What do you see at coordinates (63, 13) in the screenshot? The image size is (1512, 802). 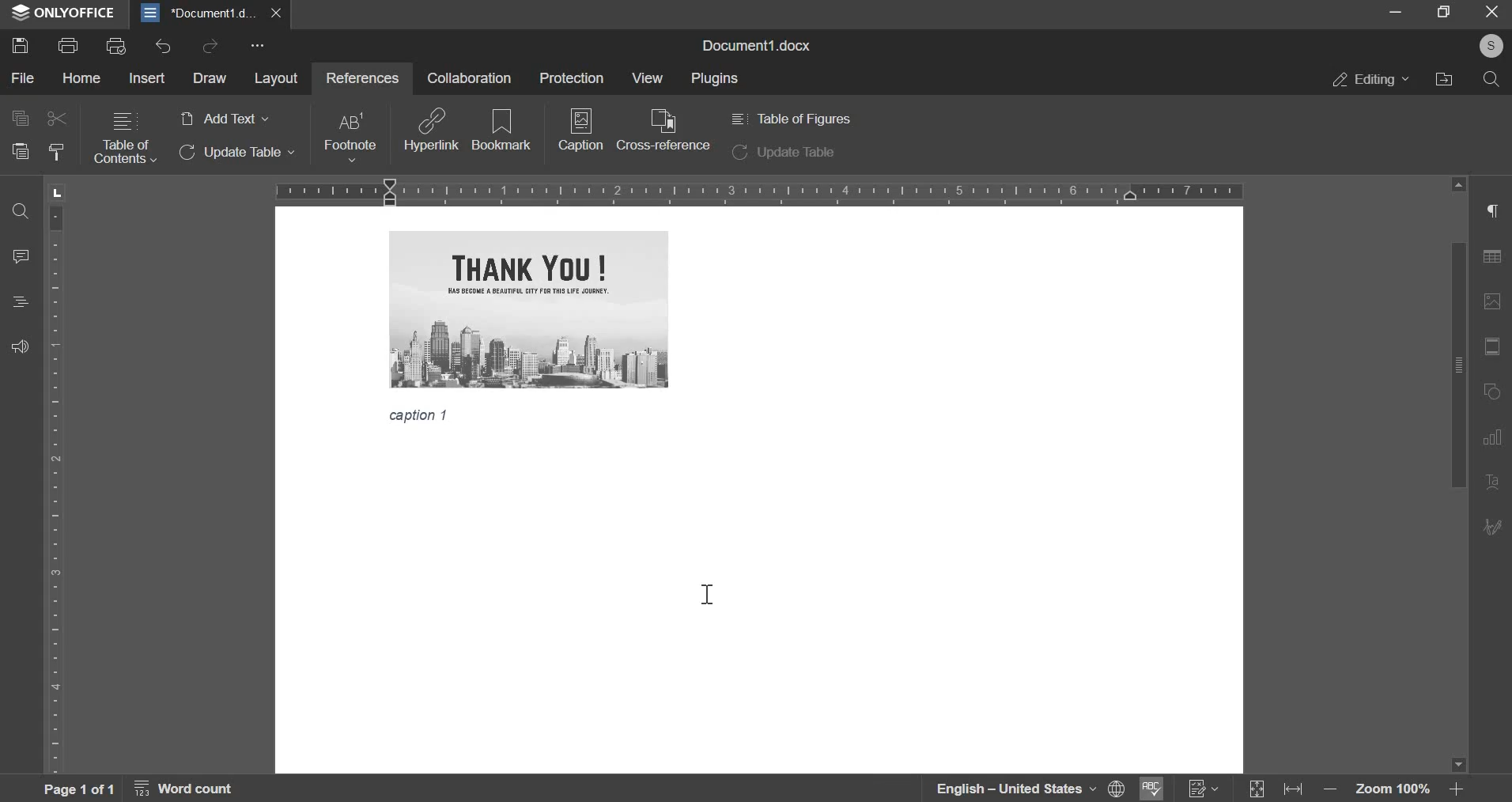 I see `ONLYOFFICE` at bounding box center [63, 13].